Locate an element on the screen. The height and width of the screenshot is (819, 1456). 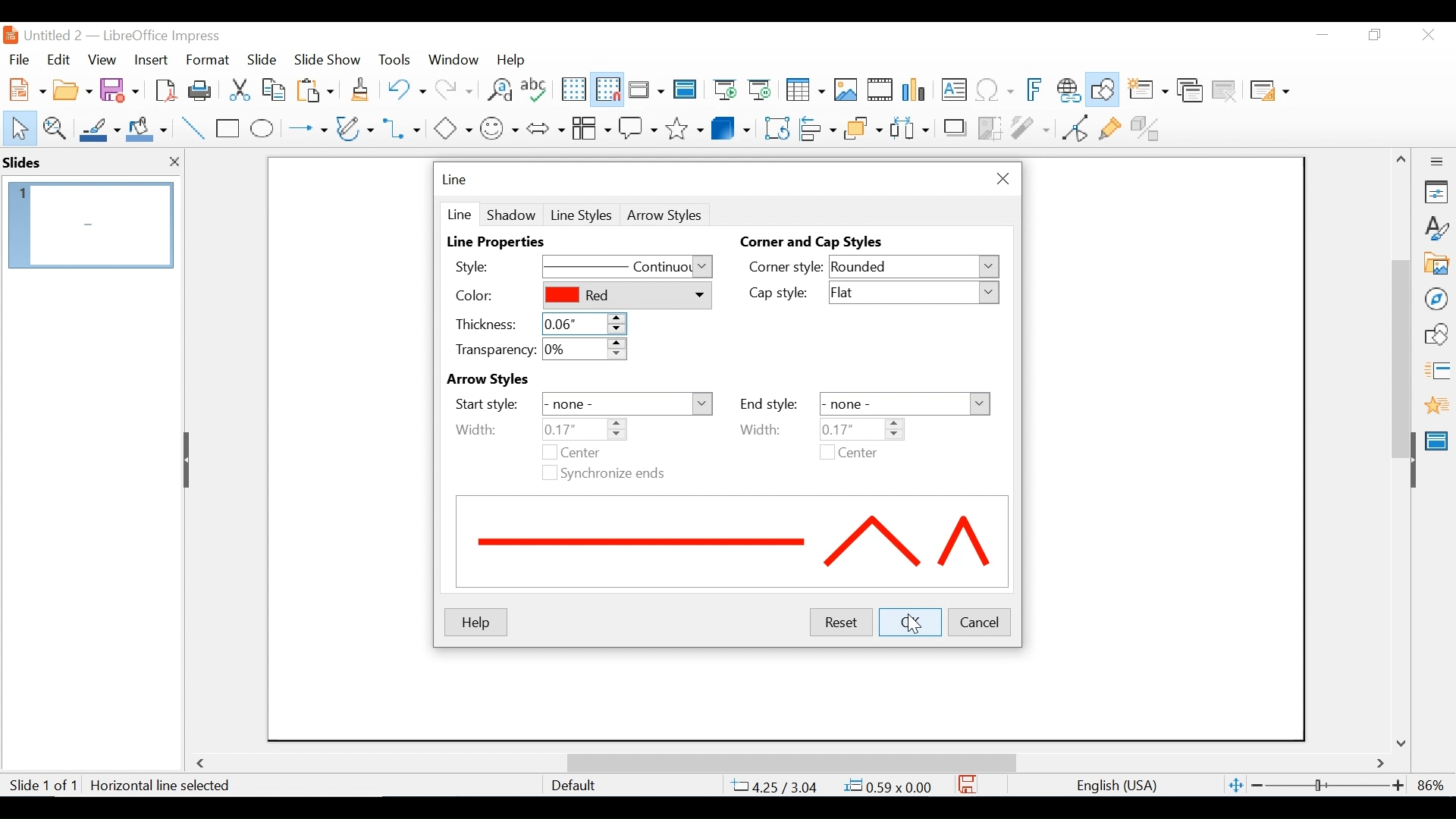
Hide is located at coordinates (189, 460).